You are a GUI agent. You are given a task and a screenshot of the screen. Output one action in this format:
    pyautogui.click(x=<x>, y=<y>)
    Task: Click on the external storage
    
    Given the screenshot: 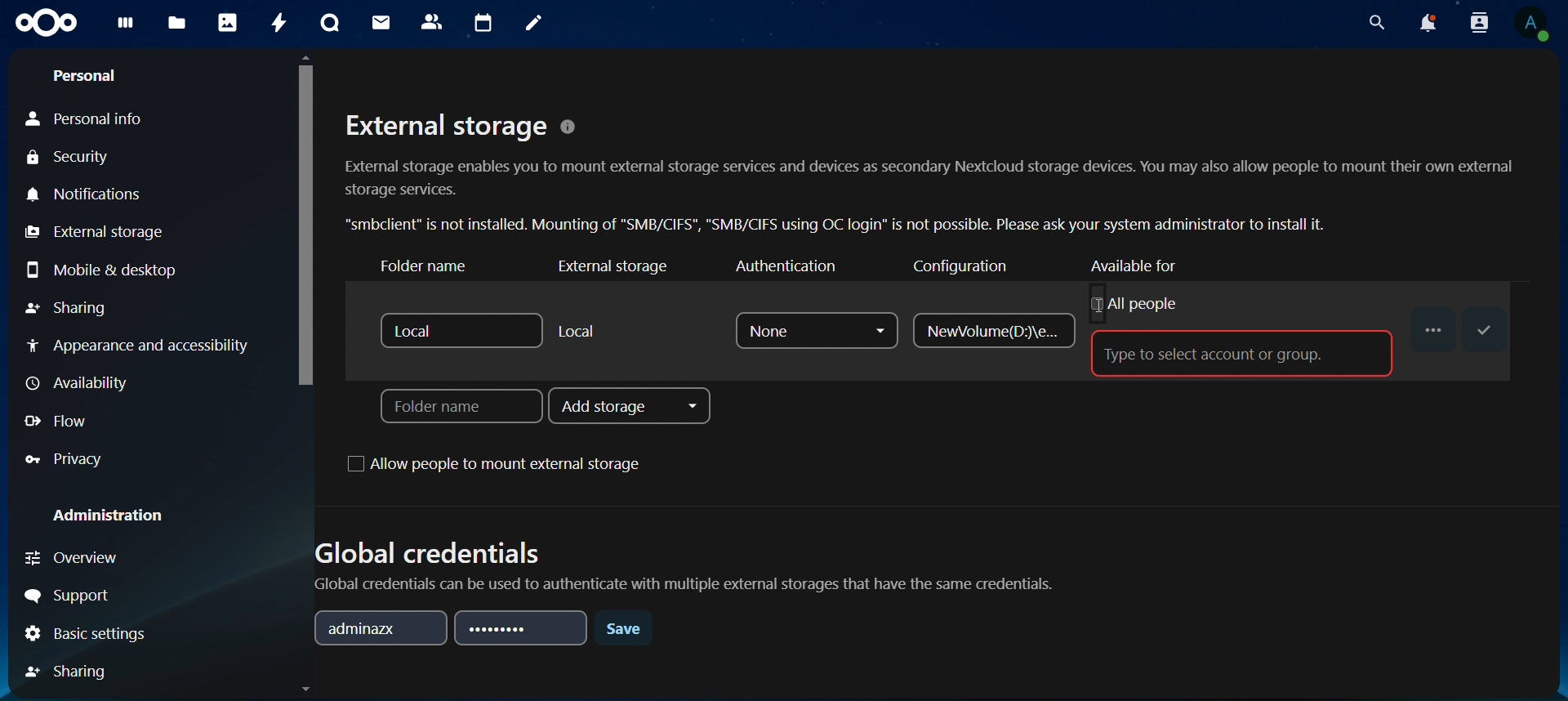 What is the action you would take?
    pyautogui.click(x=93, y=232)
    